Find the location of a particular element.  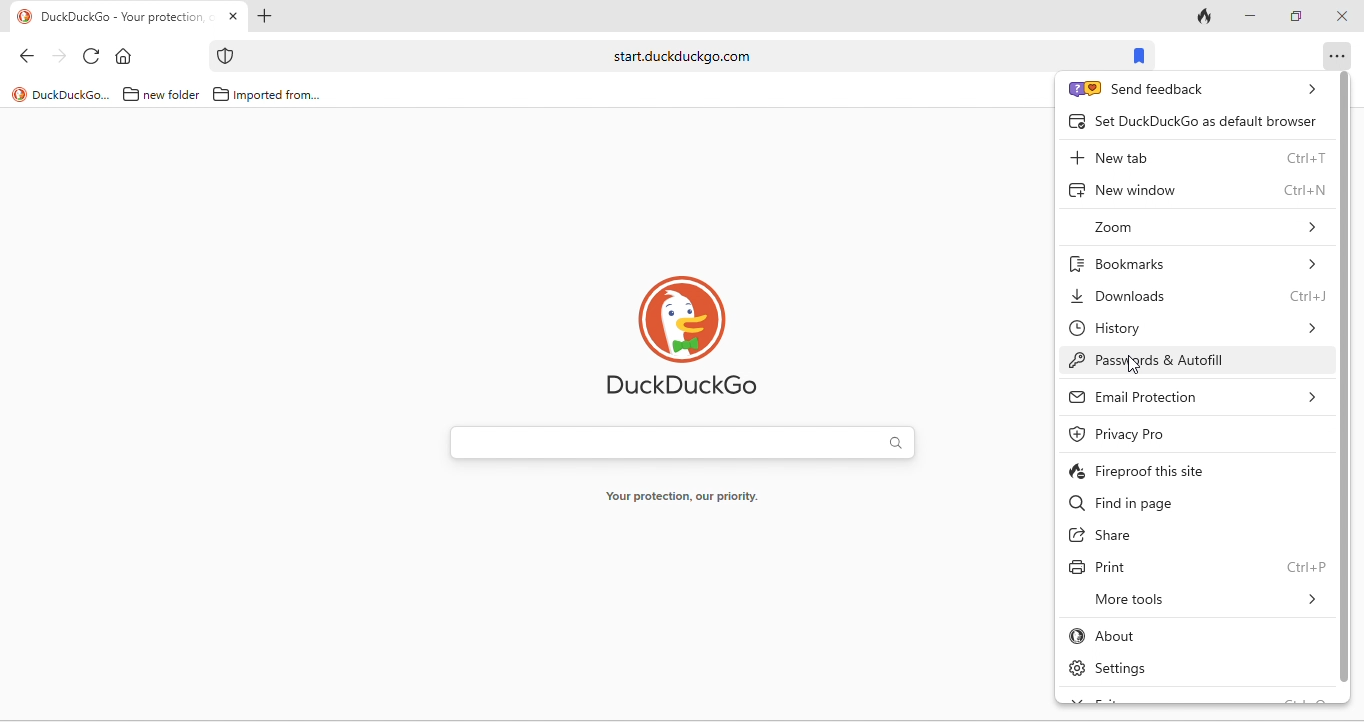

print is located at coordinates (1168, 566).